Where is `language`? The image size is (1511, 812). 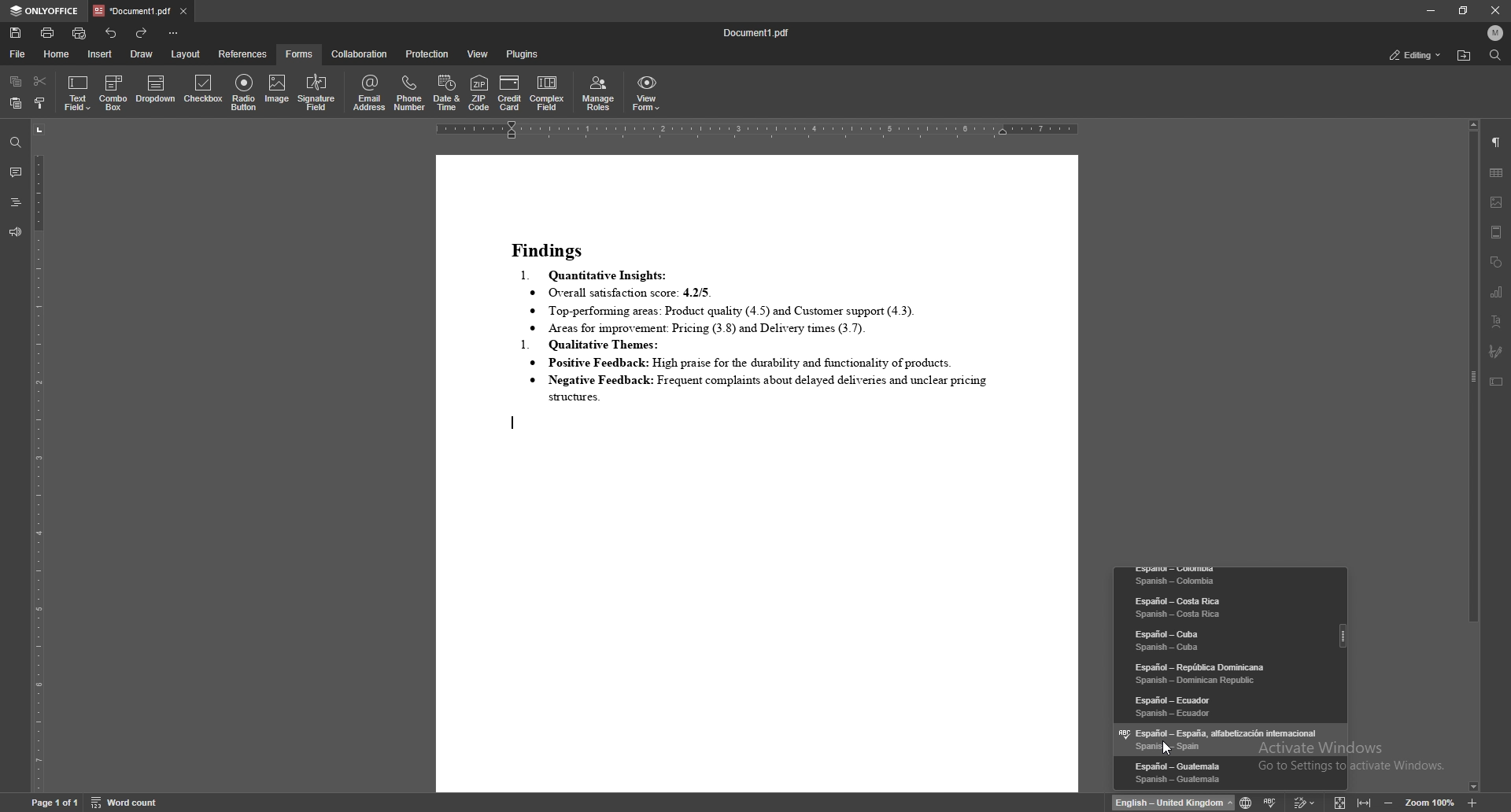
language is located at coordinates (1223, 739).